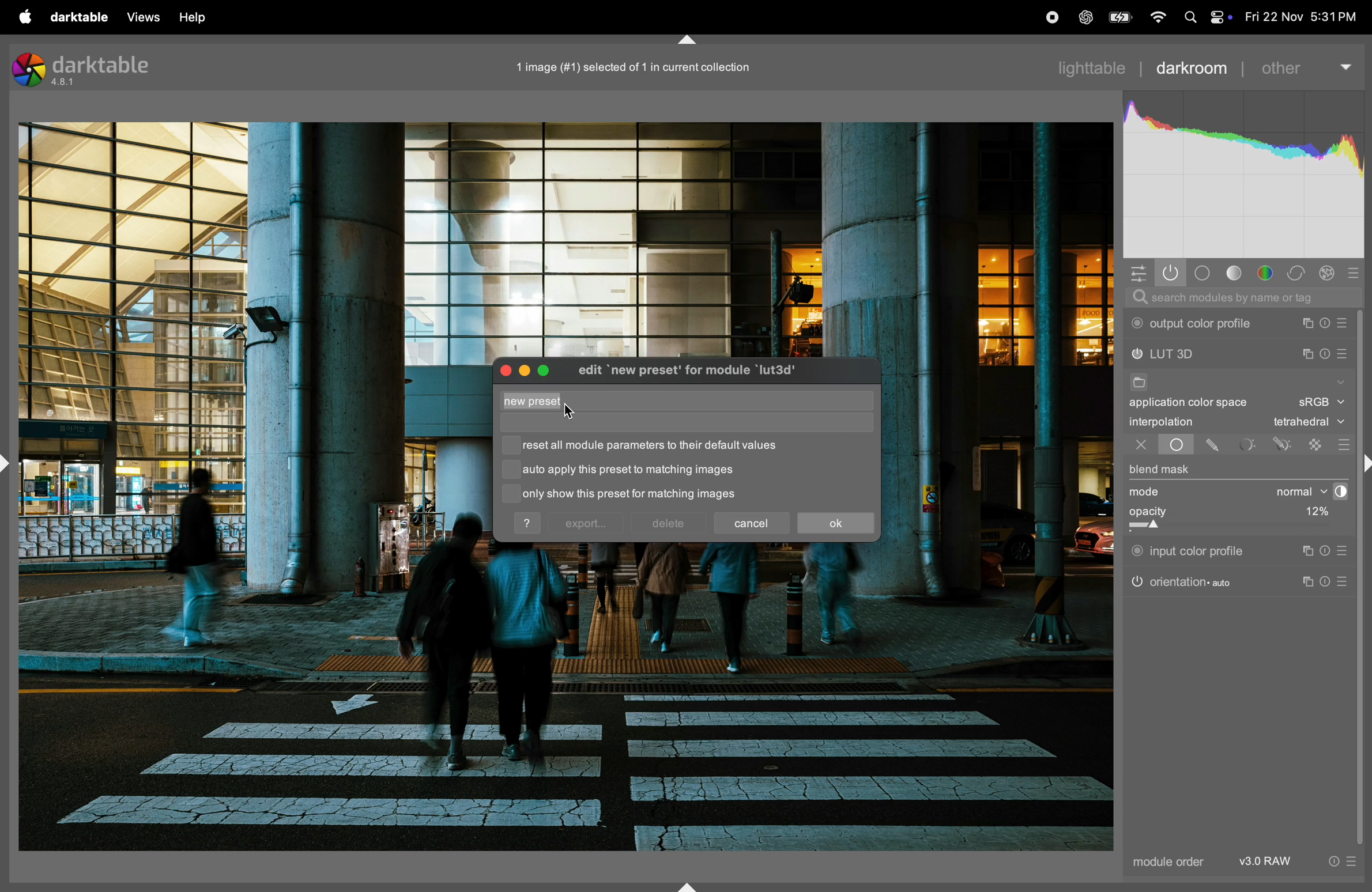 This screenshot has height=892, width=1372. Describe the element at coordinates (1345, 323) in the screenshot. I see `presets` at that location.